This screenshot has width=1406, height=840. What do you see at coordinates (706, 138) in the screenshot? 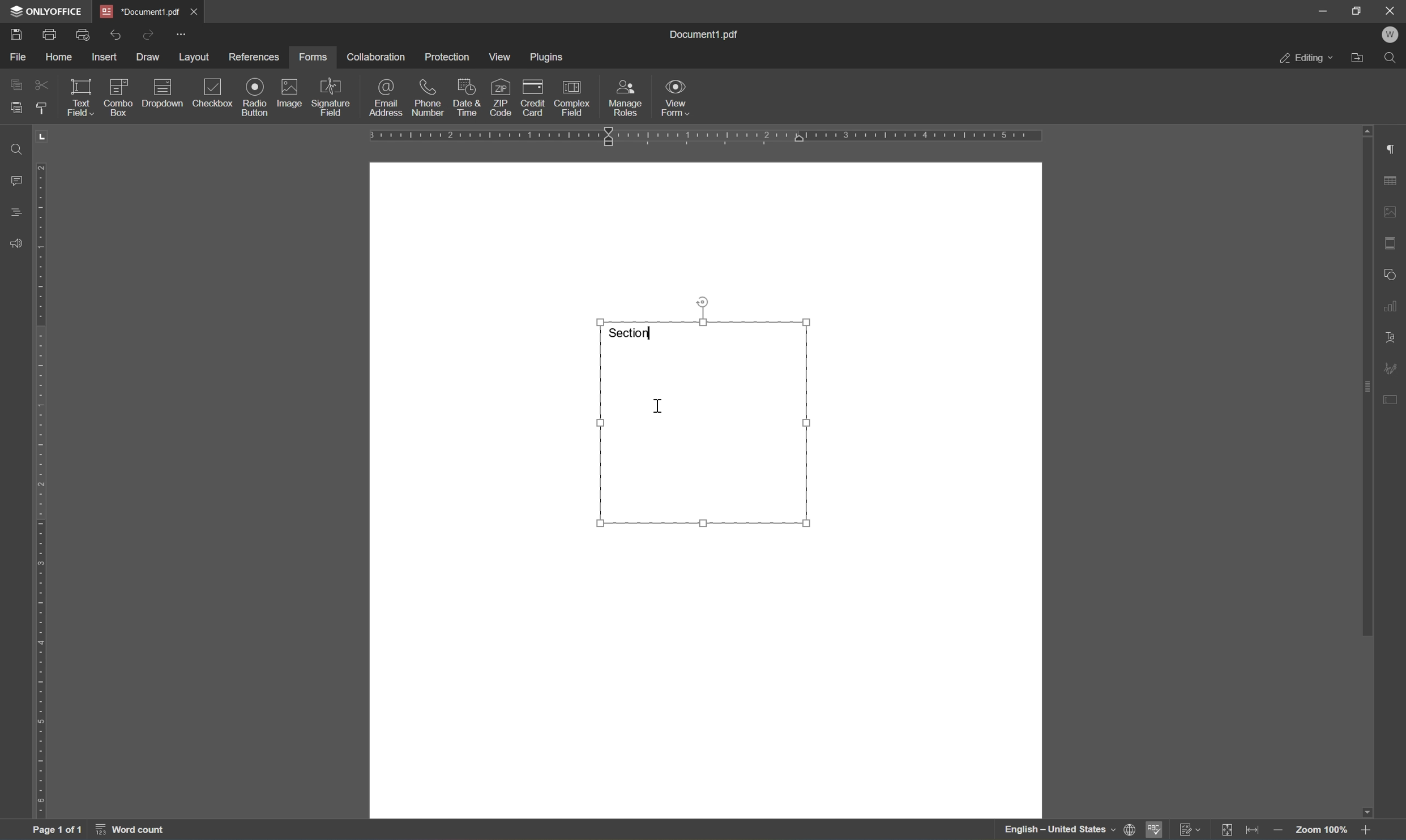
I see `ruler` at bounding box center [706, 138].